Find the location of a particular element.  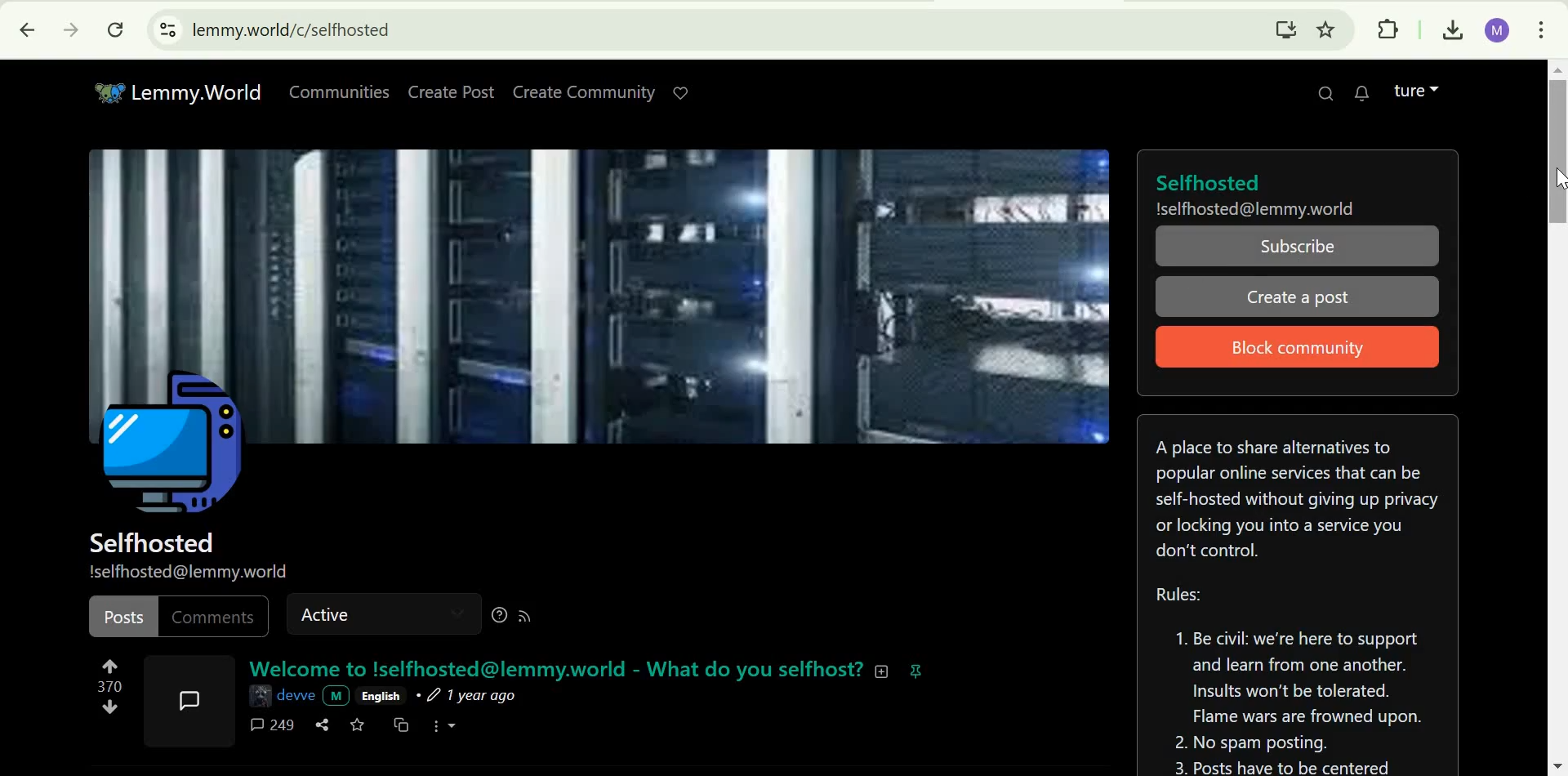

cross-post is located at coordinates (403, 725).